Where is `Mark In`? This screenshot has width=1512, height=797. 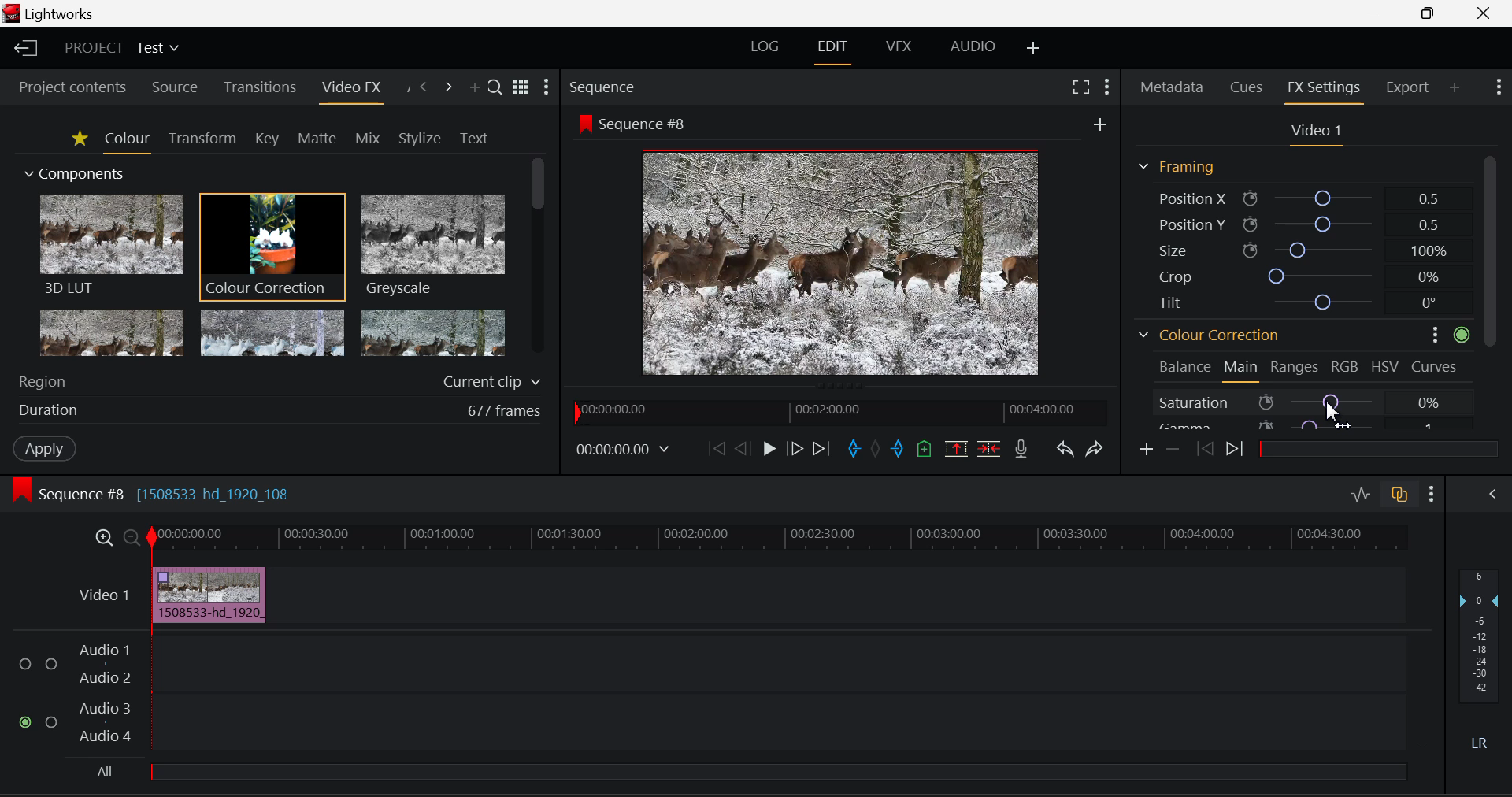
Mark In is located at coordinates (854, 451).